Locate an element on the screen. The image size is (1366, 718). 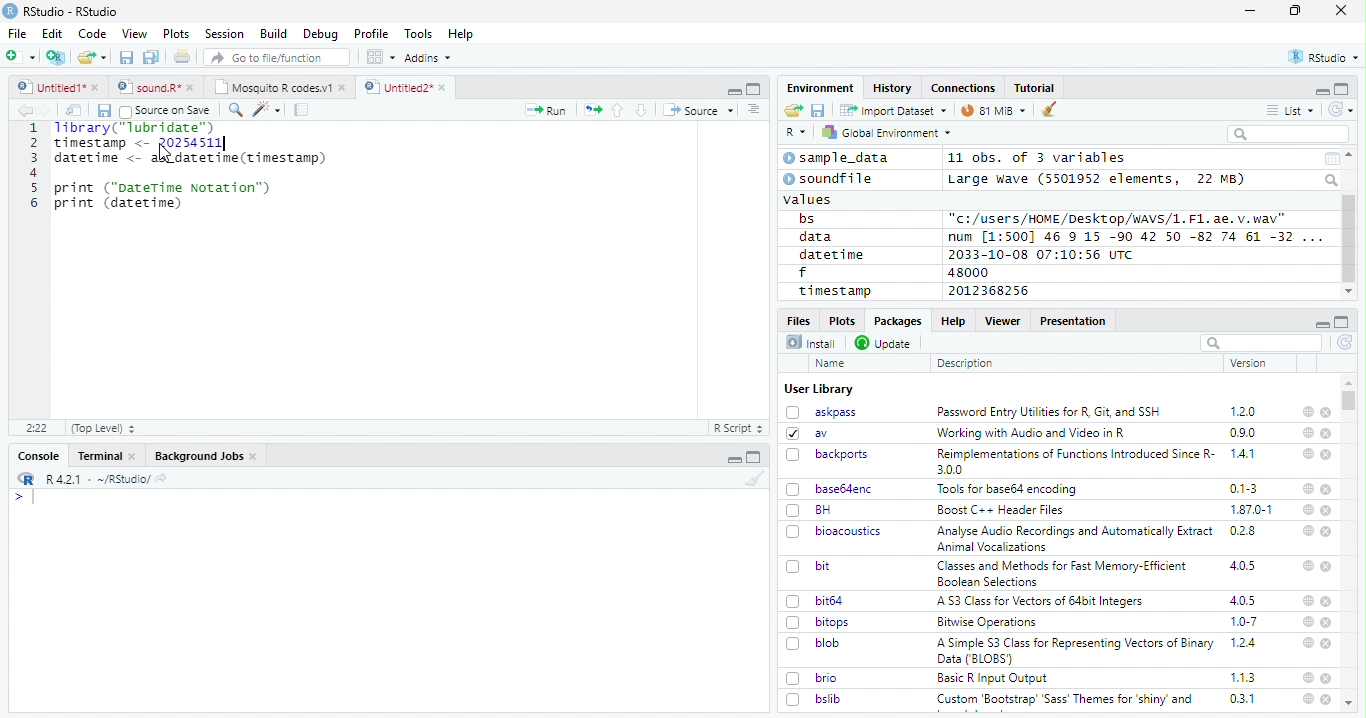
‘Working with Audio and Video inR is located at coordinates (1033, 433).